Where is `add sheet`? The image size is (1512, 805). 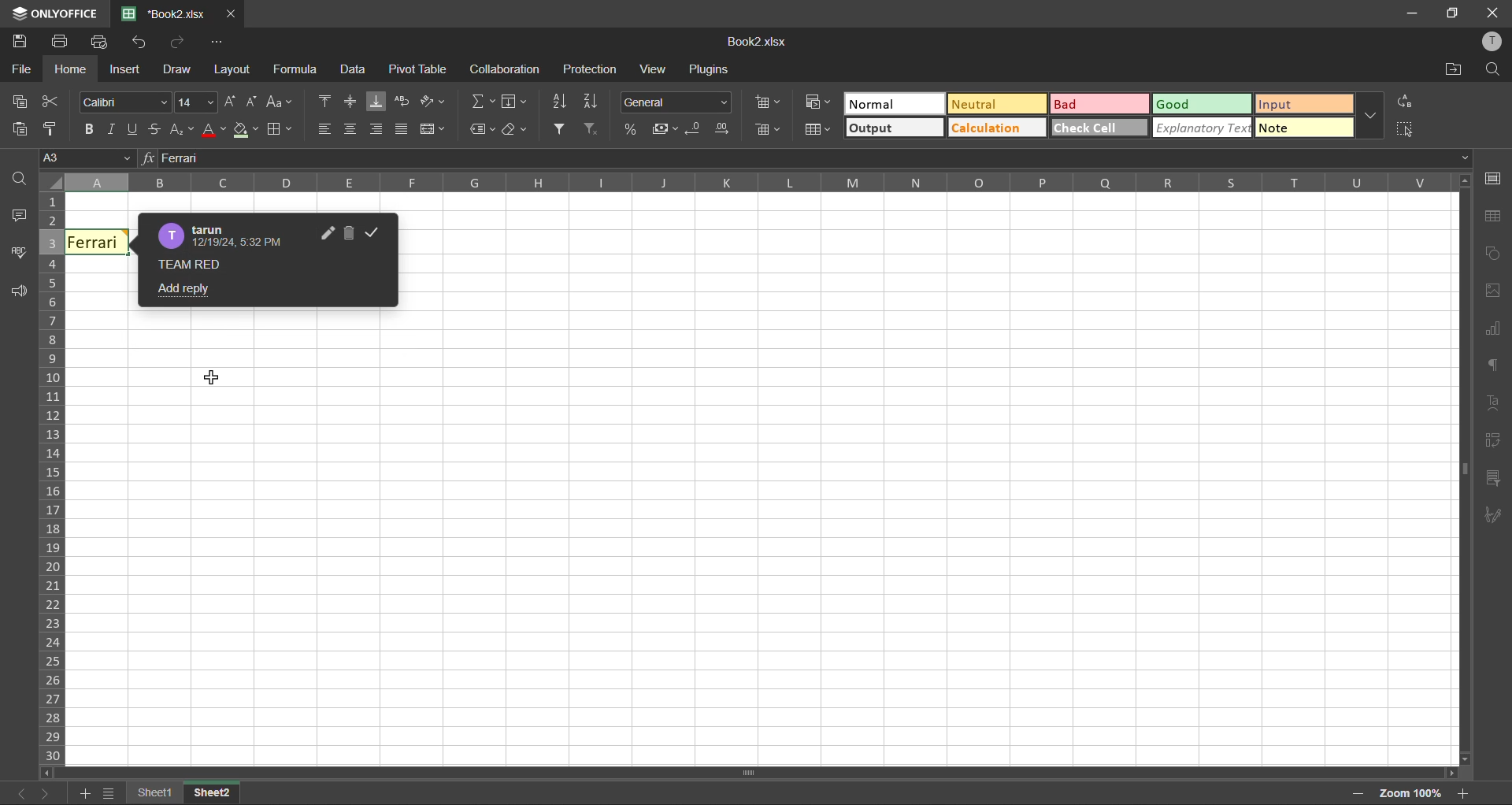
add sheet is located at coordinates (83, 796).